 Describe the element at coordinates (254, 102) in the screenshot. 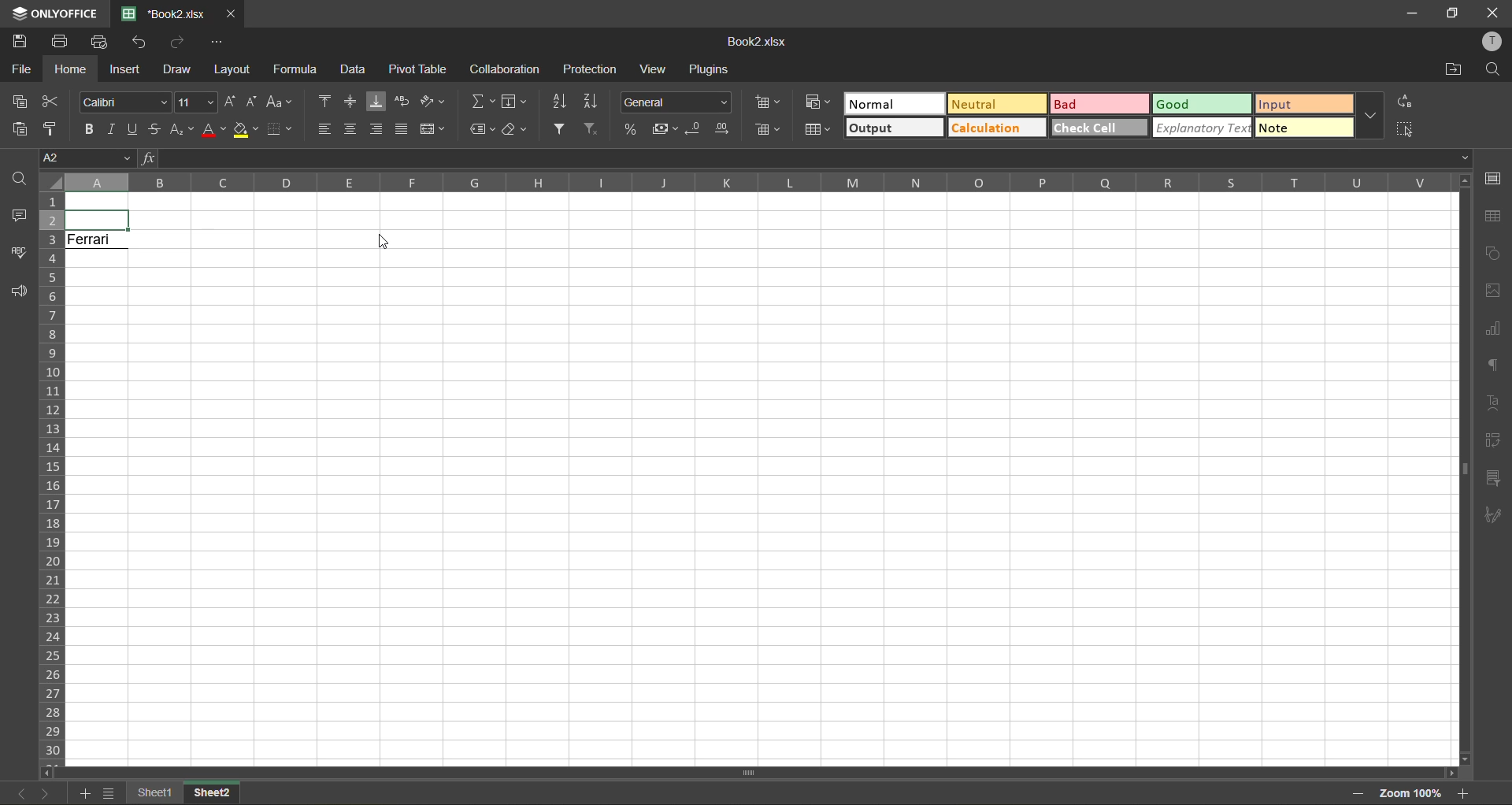

I see `decrement size` at that location.